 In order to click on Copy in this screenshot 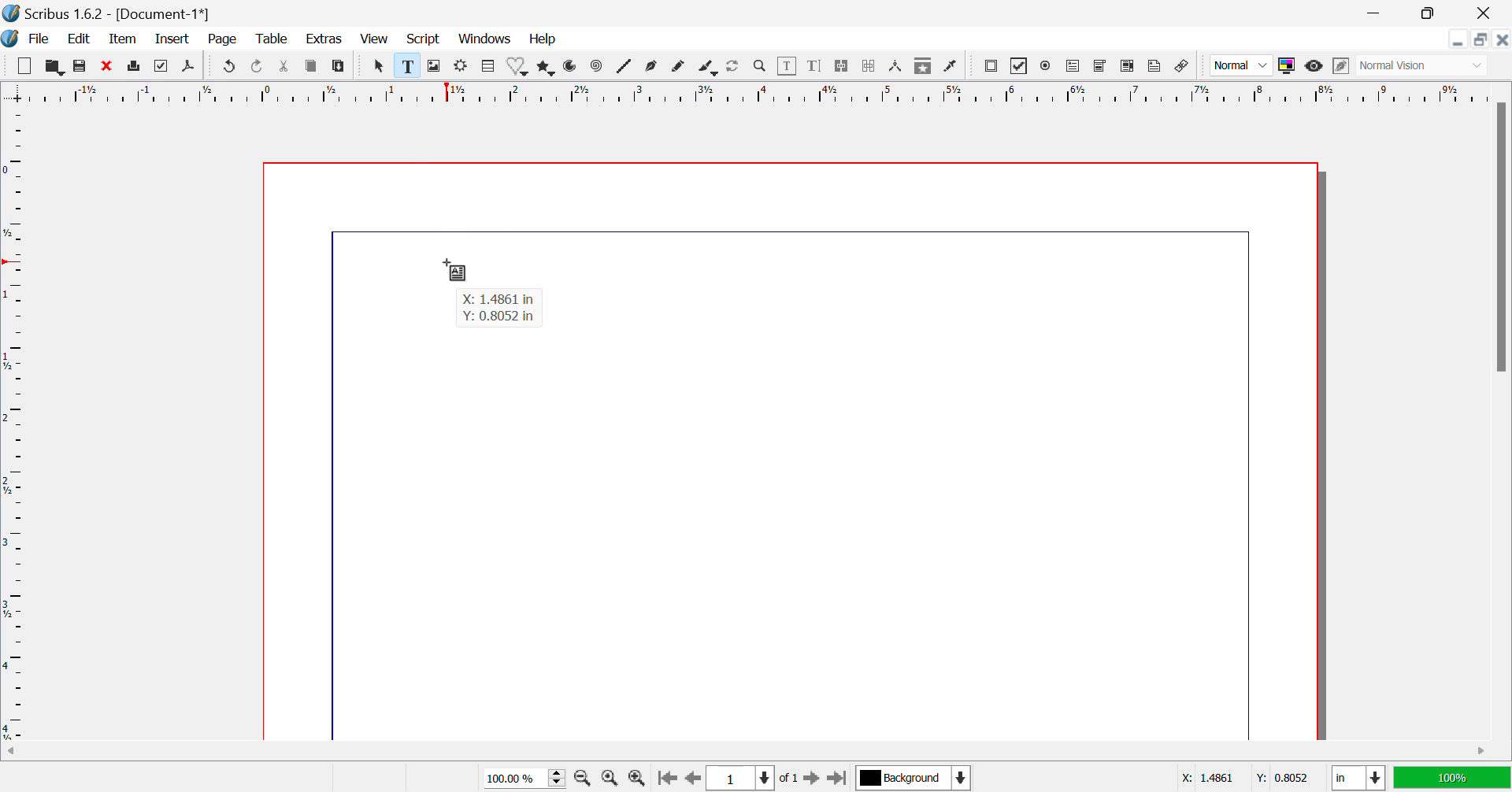, I will do `click(312, 66)`.